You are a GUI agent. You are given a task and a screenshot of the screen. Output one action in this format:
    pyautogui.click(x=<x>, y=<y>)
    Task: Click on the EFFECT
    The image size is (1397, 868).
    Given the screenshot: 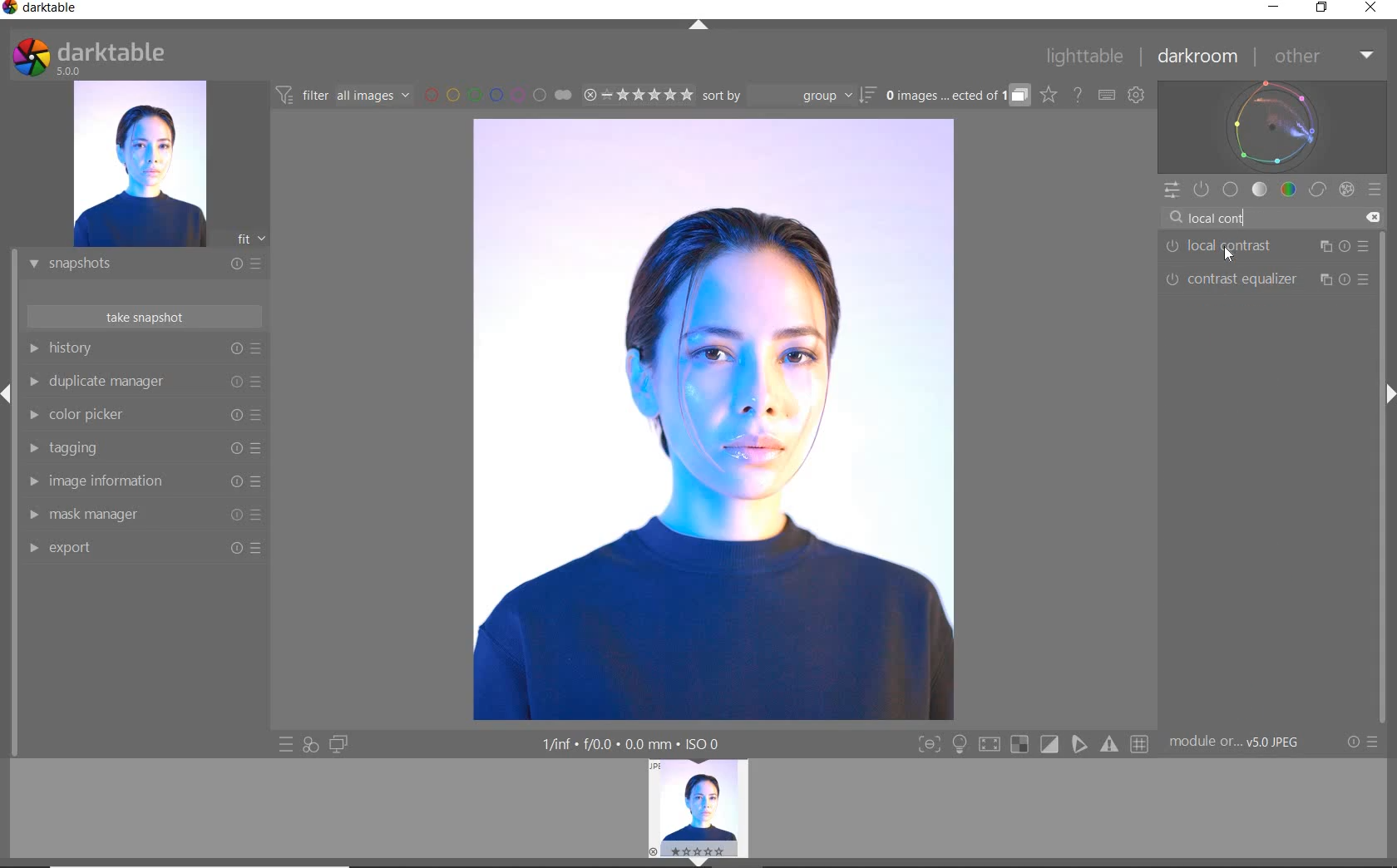 What is the action you would take?
    pyautogui.click(x=1346, y=189)
    